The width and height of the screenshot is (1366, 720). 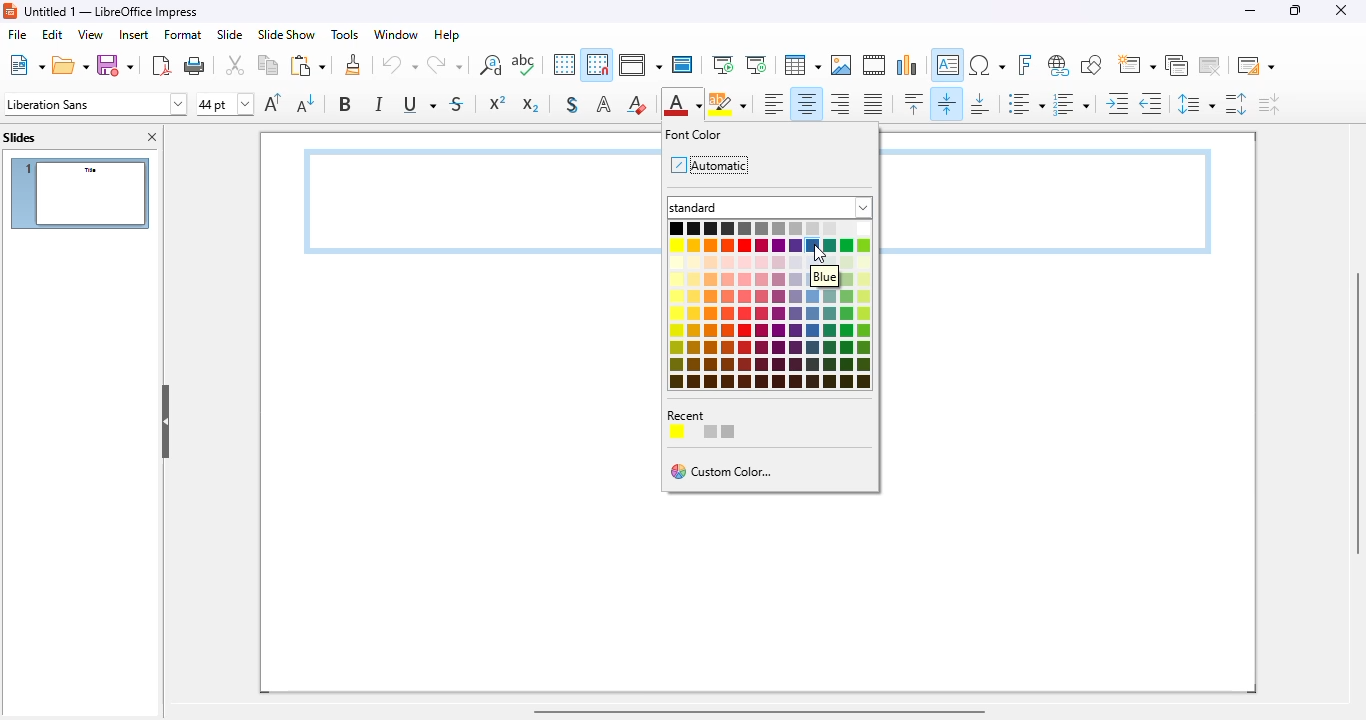 I want to click on slides, so click(x=19, y=137).